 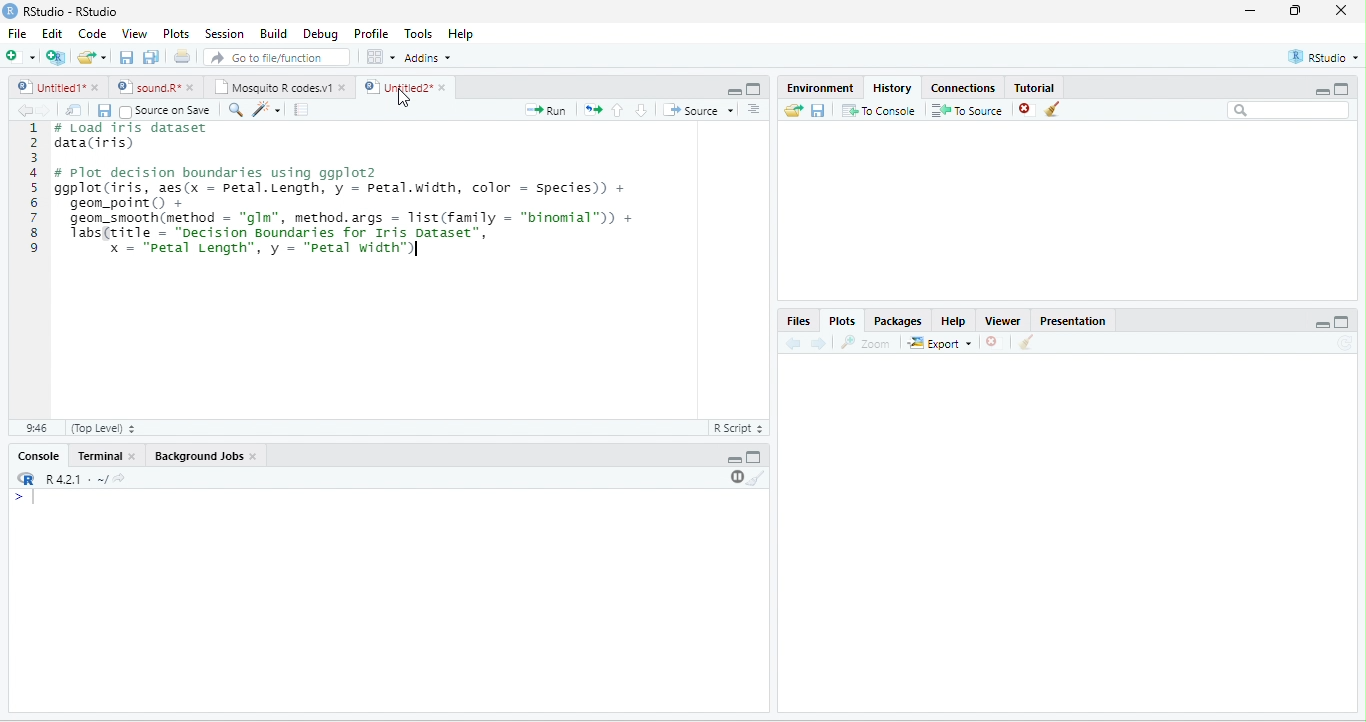 I want to click on close, so click(x=344, y=88).